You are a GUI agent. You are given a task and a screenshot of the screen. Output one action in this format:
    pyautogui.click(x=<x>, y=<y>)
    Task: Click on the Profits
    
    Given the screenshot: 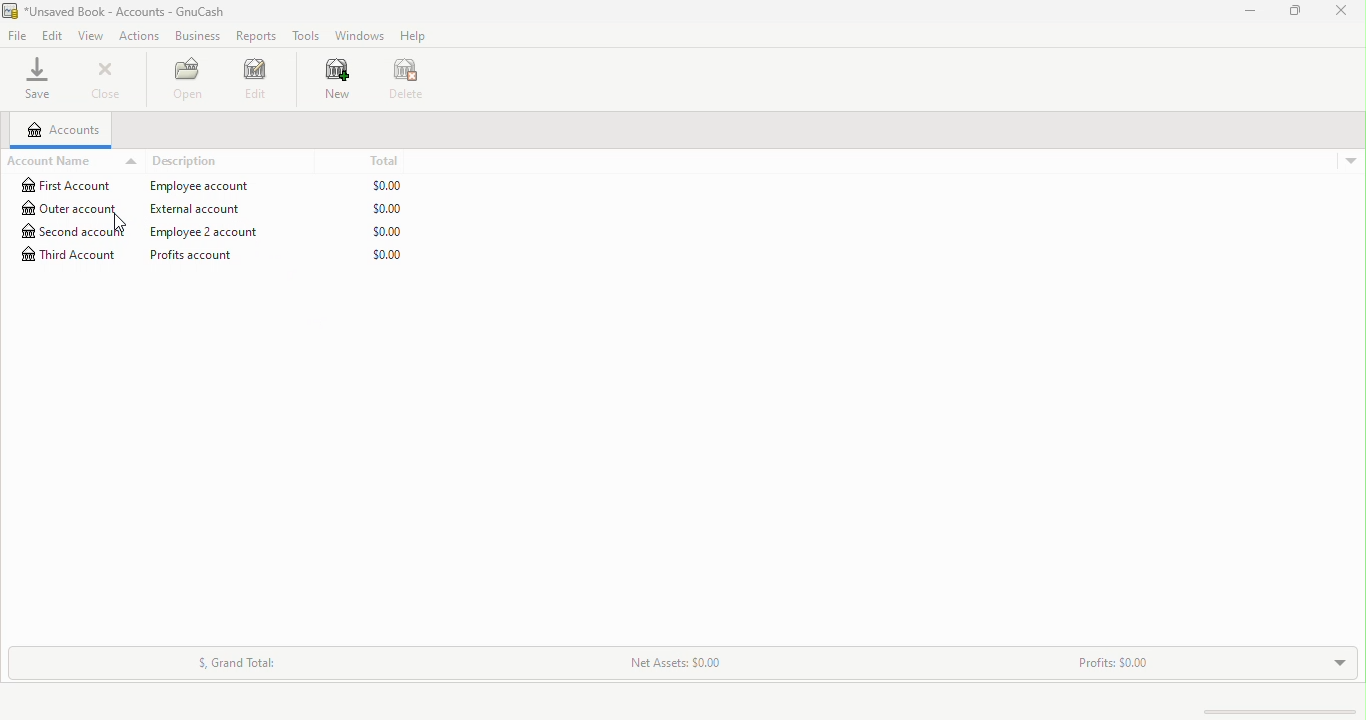 What is the action you would take?
    pyautogui.click(x=1107, y=668)
    